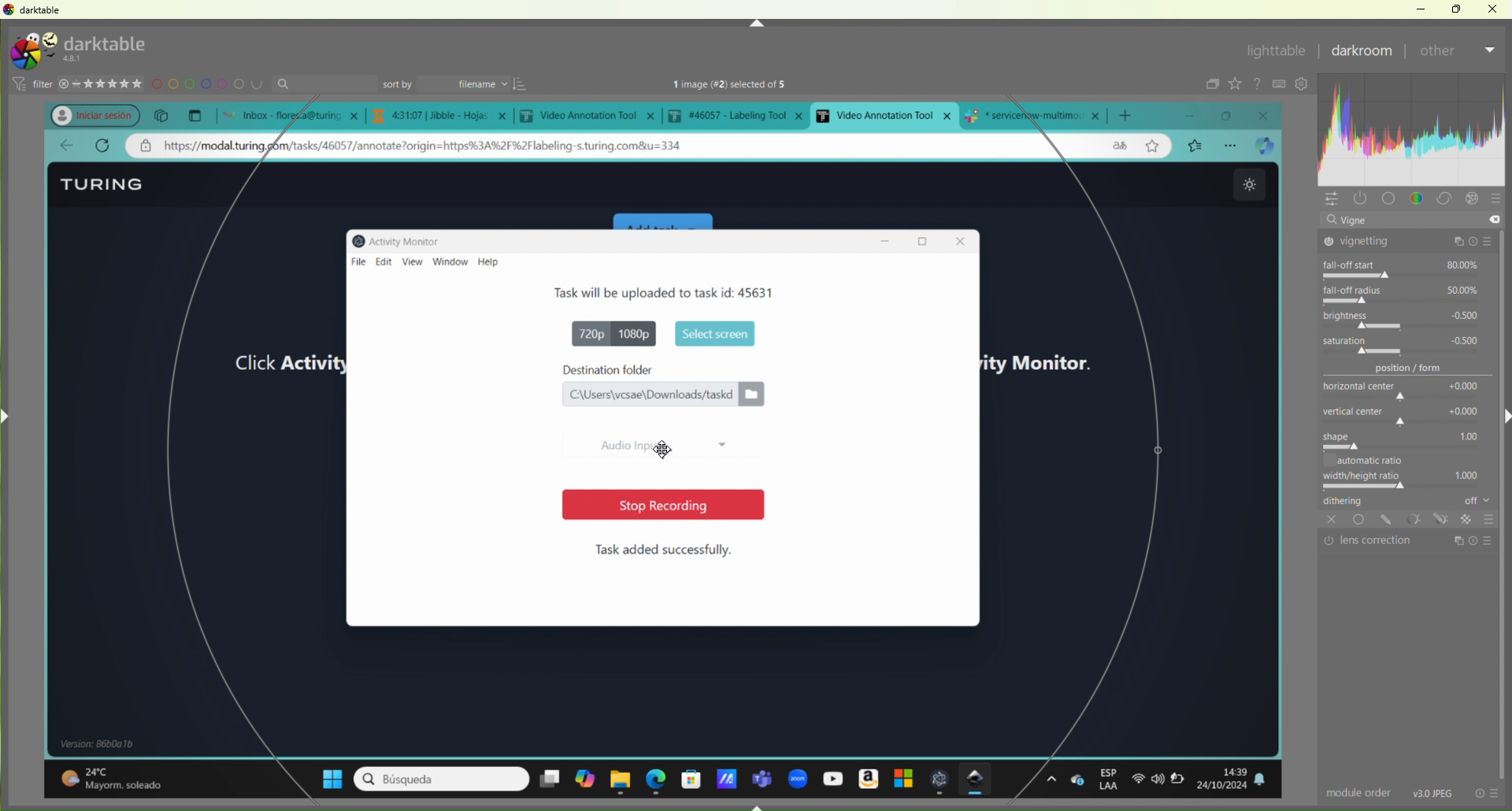 Image resolution: width=1512 pixels, height=811 pixels. Describe the element at coordinates (657, 778) in the screenshot. I see `edge` at that location.